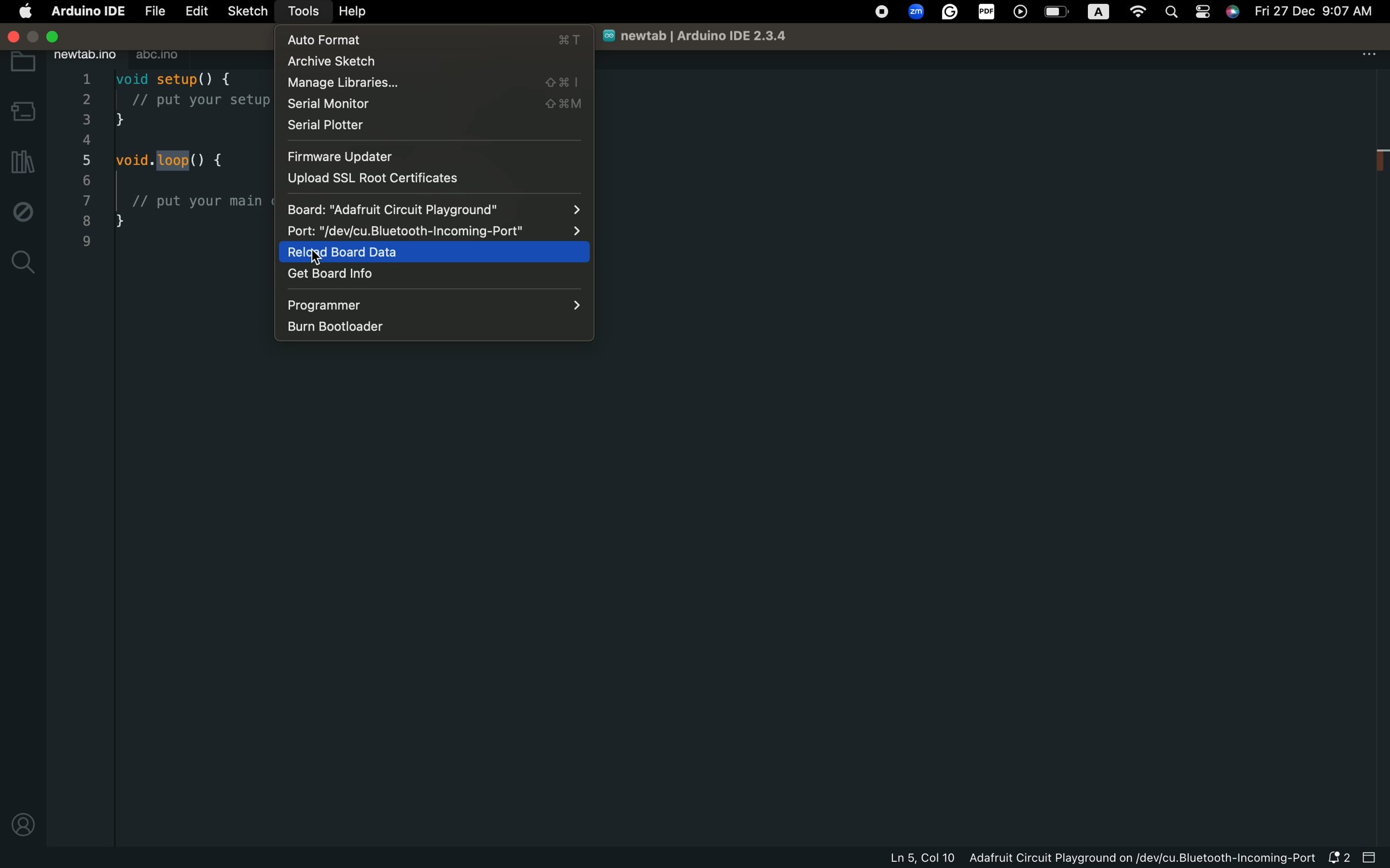  I want to click on help, so click(360, 10).